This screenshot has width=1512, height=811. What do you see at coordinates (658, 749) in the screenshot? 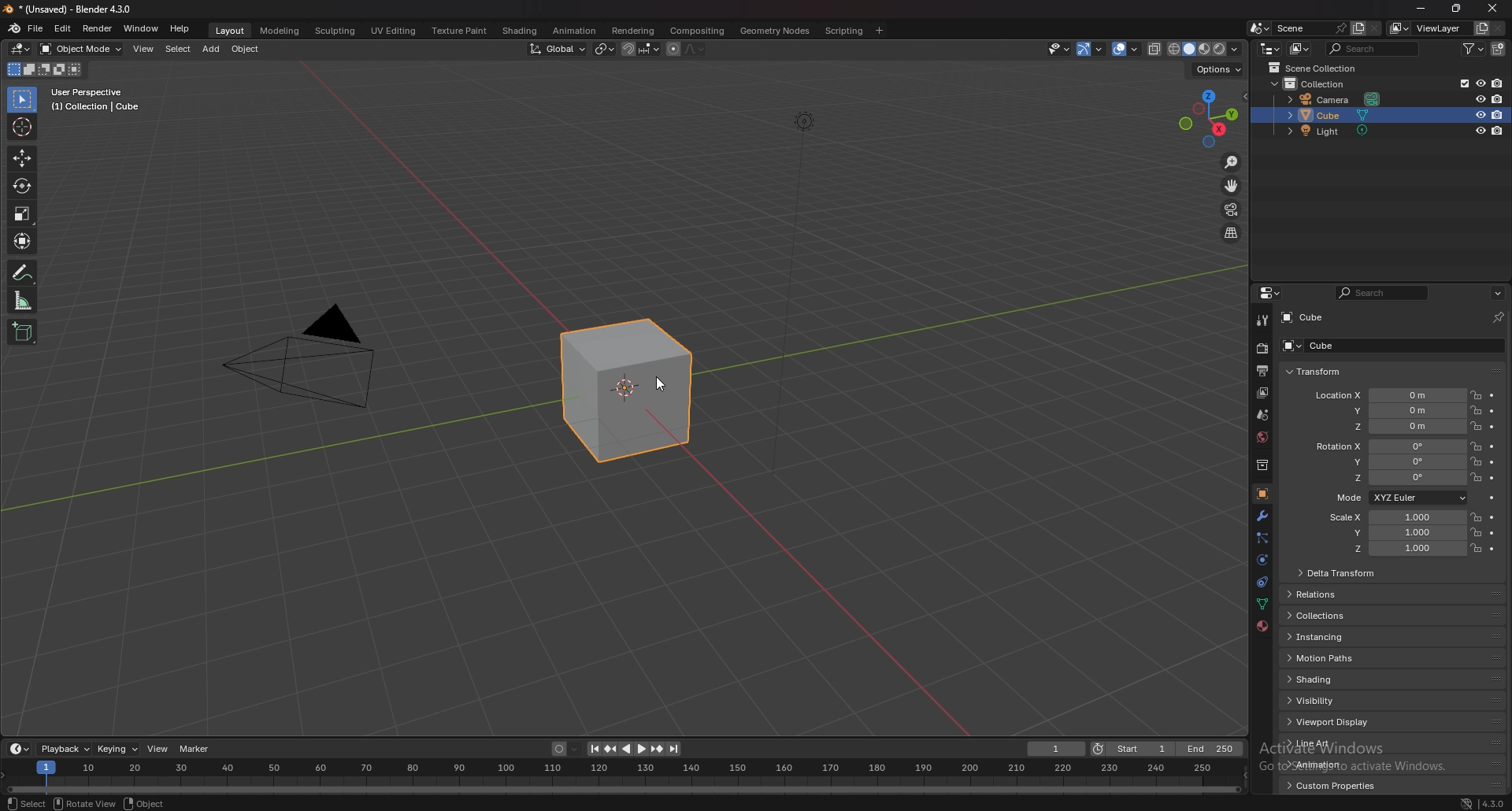
I see `jump to keyframe` at bounding box center [658, 749].